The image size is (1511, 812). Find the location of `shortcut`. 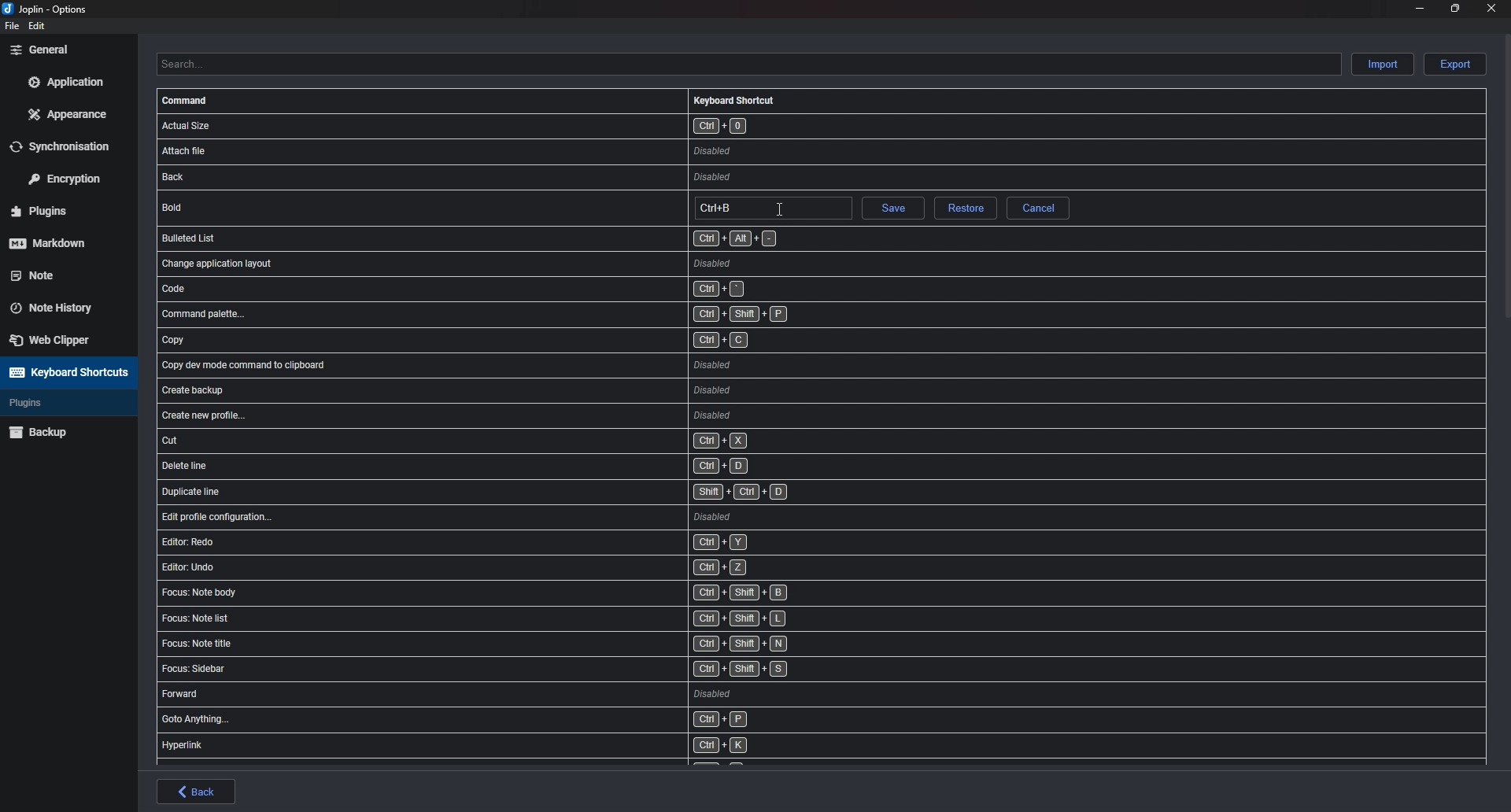

shortcut is located at coordinates (537, 466).